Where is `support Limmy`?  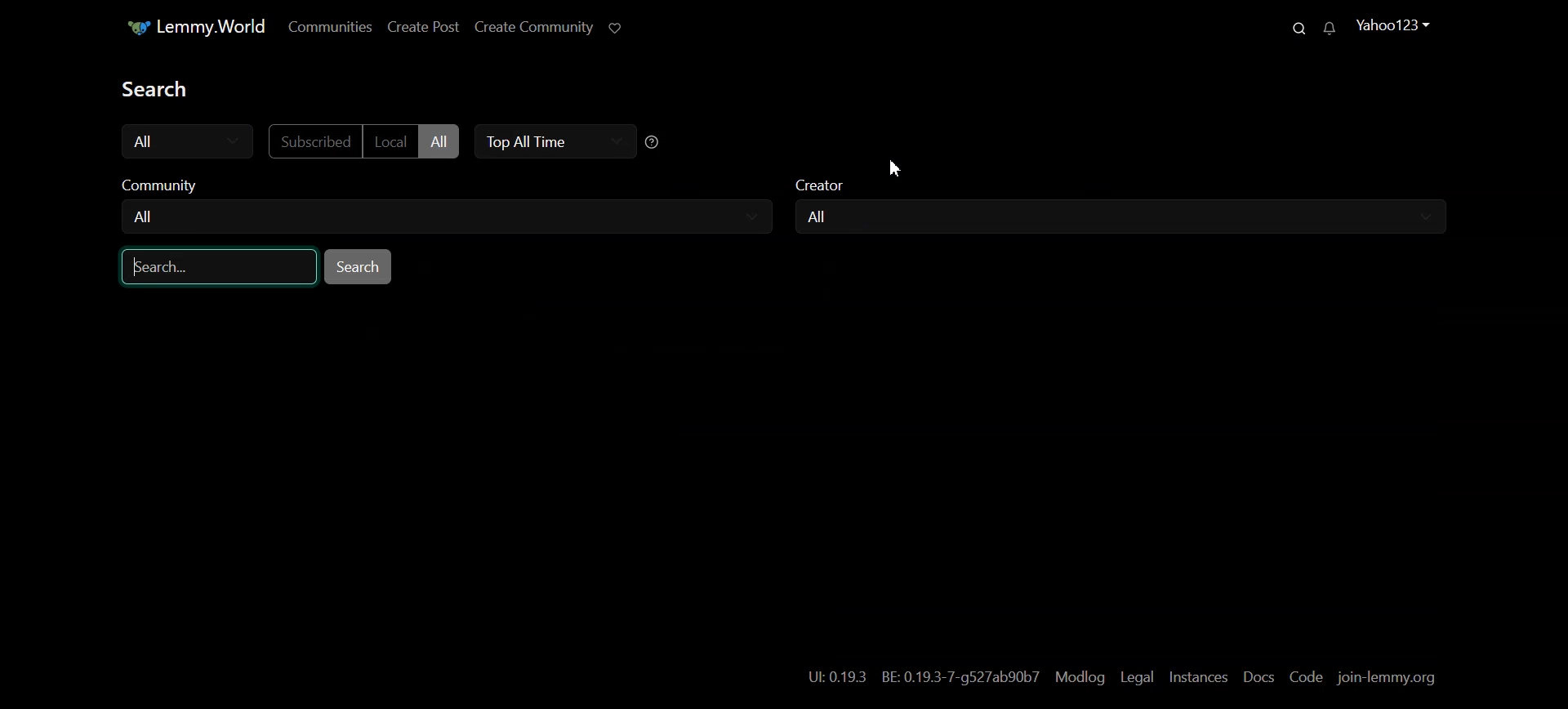 support Limmy is located at coordinates (615, 29).